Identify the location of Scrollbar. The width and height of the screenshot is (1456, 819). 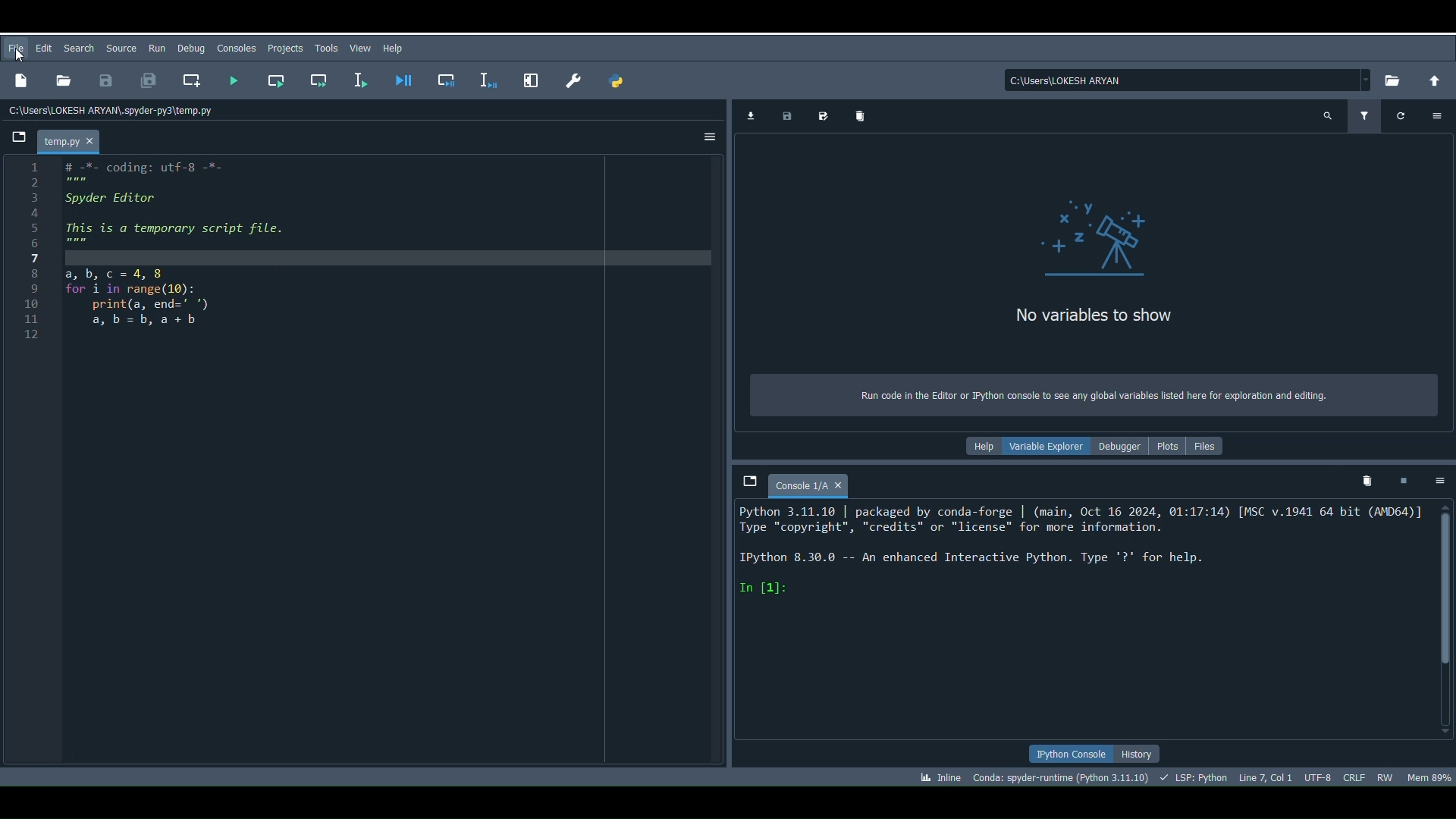
(1441, 618).